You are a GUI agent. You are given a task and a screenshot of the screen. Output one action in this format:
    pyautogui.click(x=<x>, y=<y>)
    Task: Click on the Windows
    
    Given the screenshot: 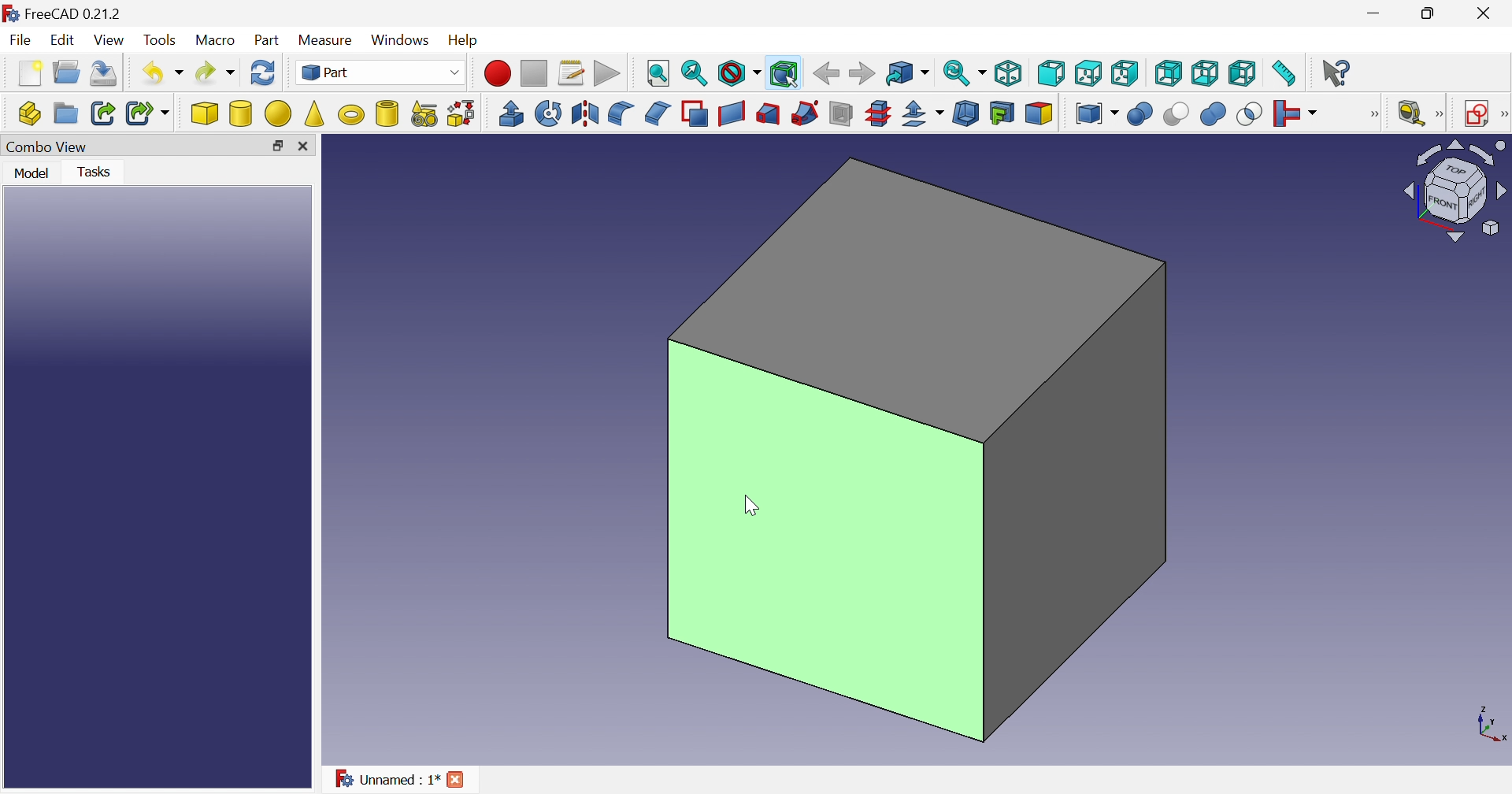 What is the action you would take?
    pyautogui.click(x=402, y=42)
    